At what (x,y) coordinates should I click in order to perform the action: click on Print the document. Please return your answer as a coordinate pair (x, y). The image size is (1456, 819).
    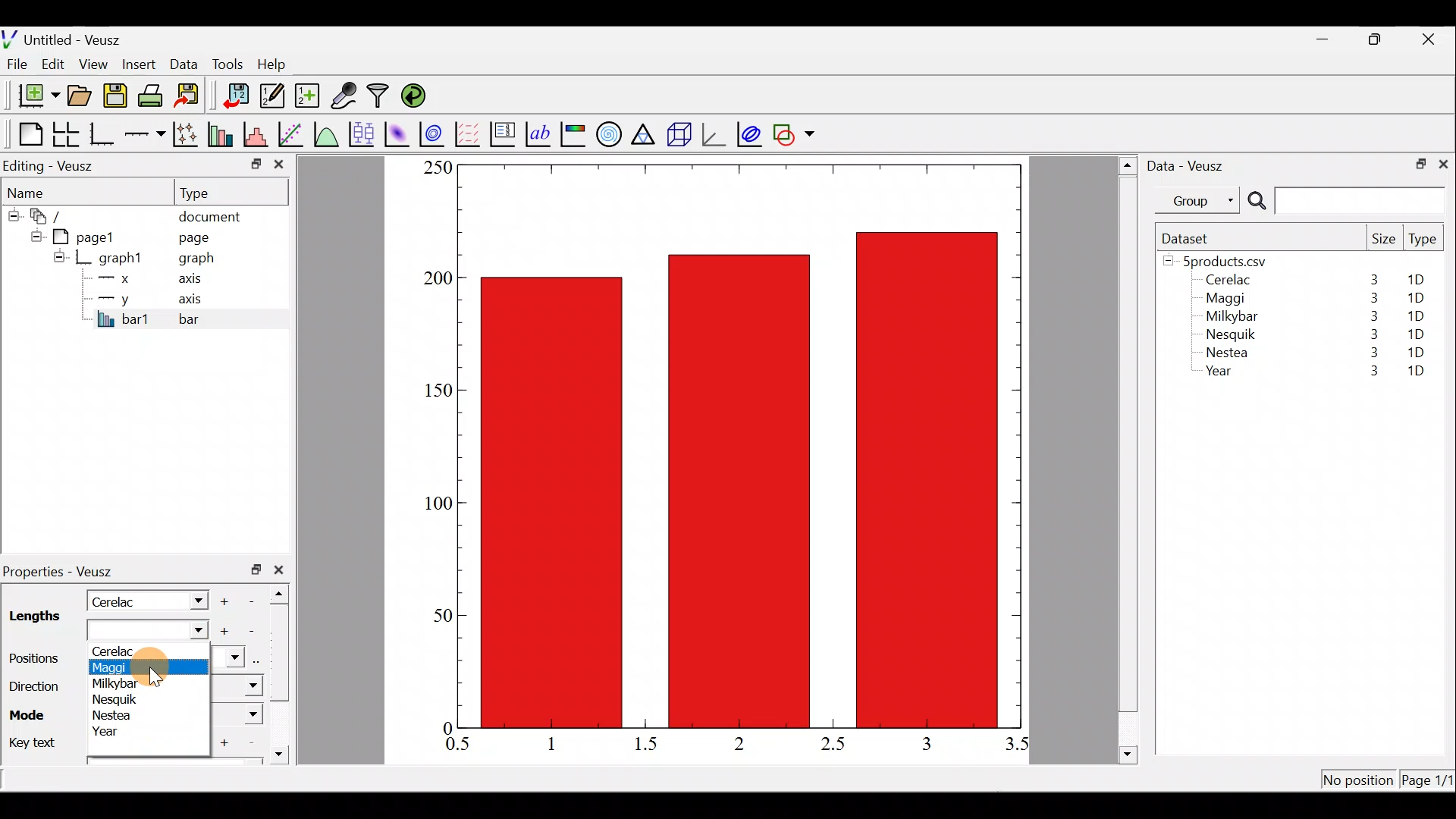
    Looking at the image, I should click on (155, 95).